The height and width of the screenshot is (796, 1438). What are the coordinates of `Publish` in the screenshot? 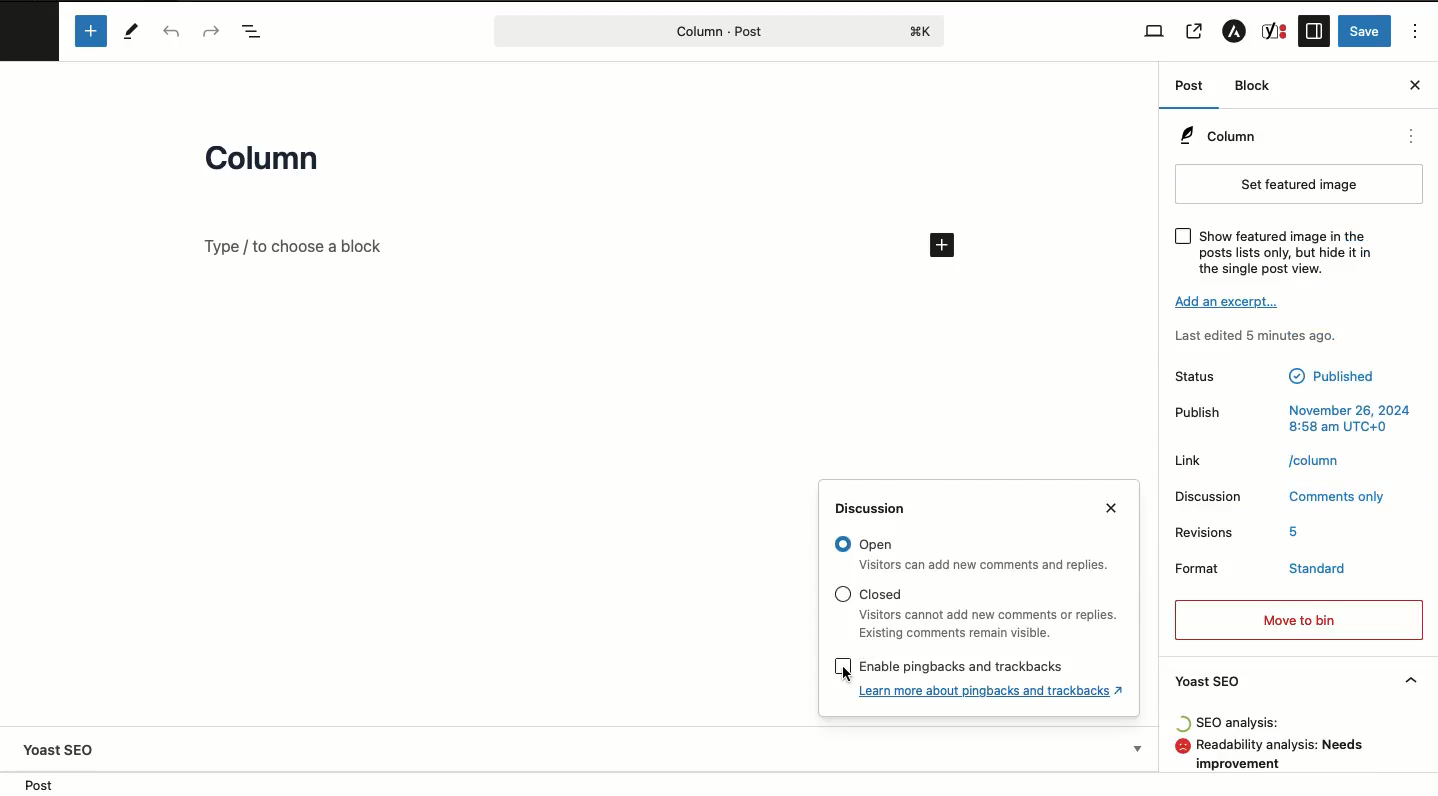 It's located at (1194, 412).